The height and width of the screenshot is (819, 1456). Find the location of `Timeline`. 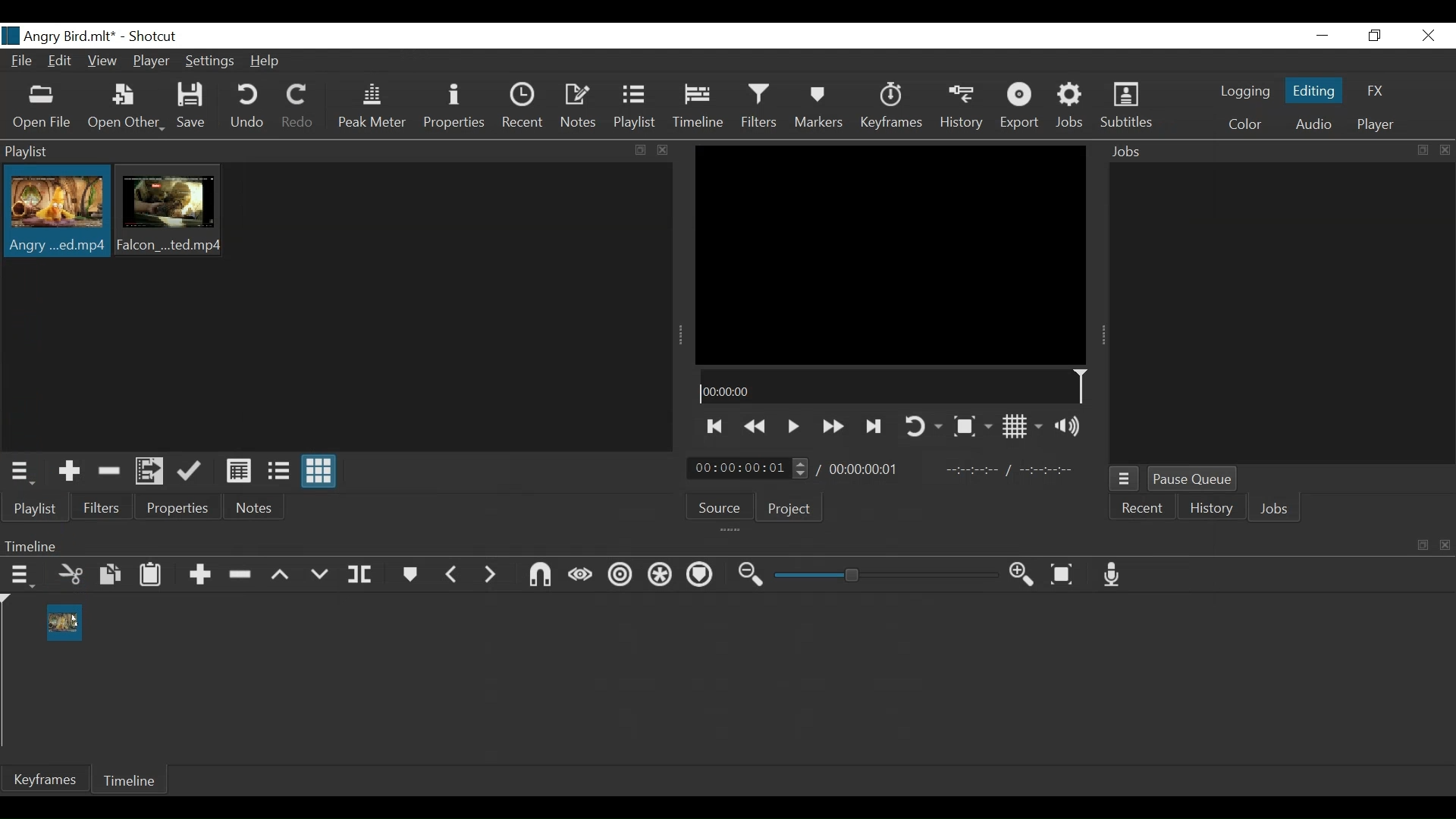

Timeline is located at coordinates (699, 106).